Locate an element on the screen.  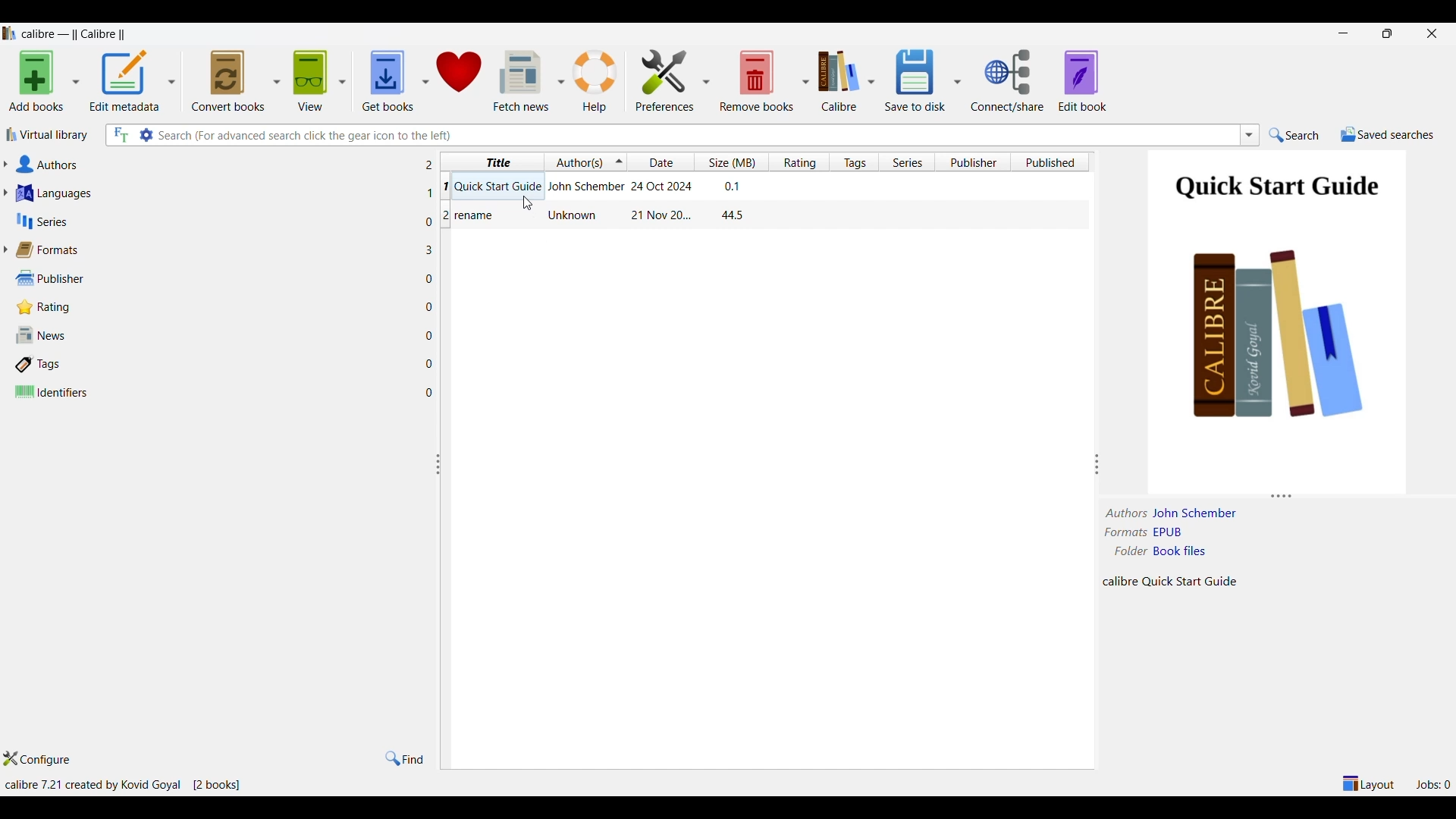
Advanced search is located at coordinates (145, 134).